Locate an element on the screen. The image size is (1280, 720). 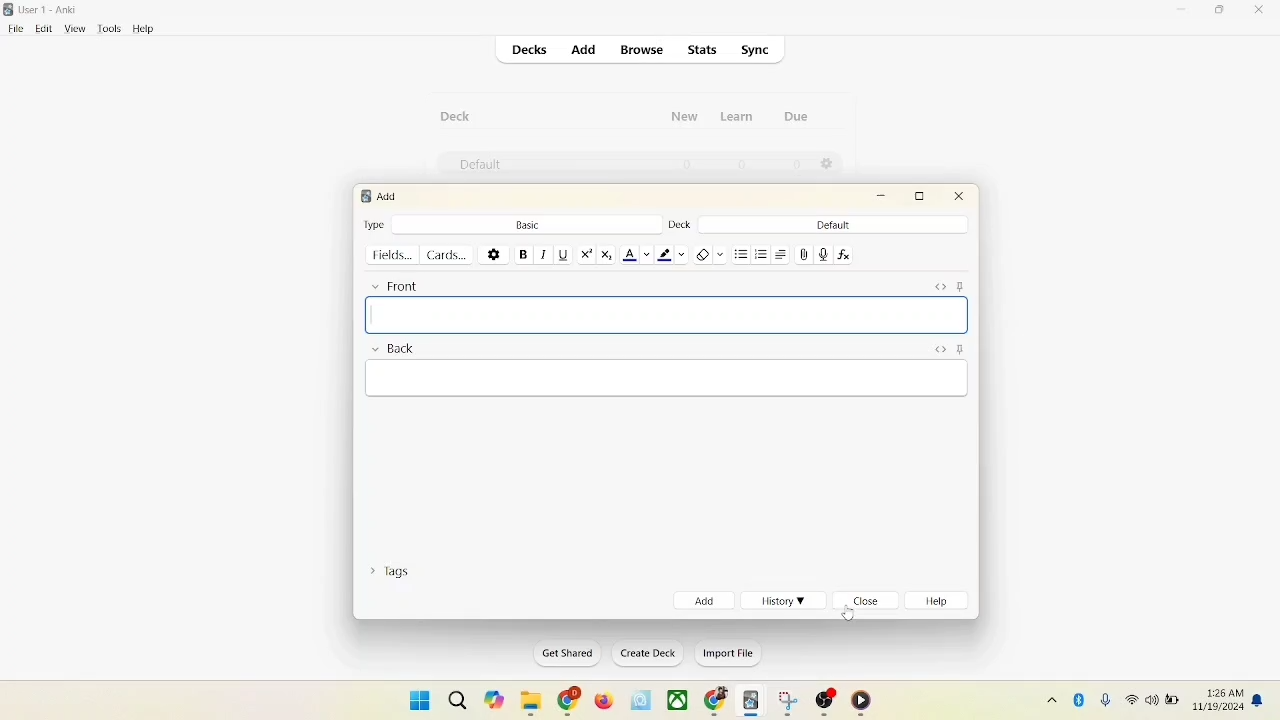
tags is located at coordinates (395, 575).